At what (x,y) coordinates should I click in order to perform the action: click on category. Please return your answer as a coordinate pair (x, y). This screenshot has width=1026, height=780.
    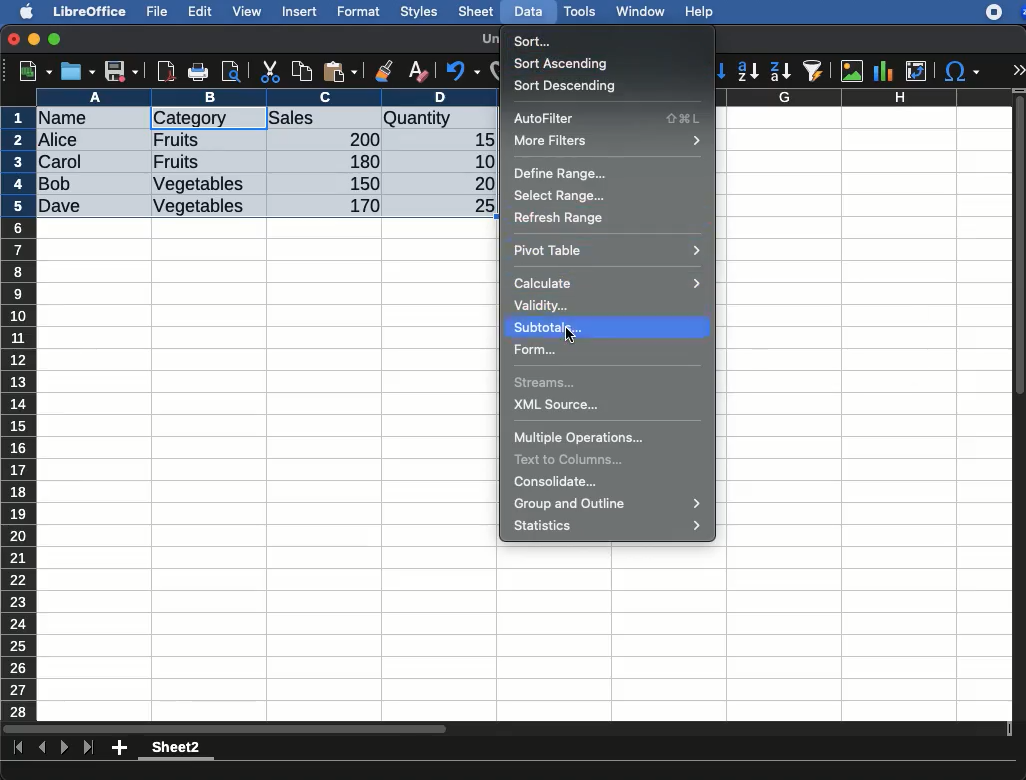
    Looking at the image, I should click on (206, 119).